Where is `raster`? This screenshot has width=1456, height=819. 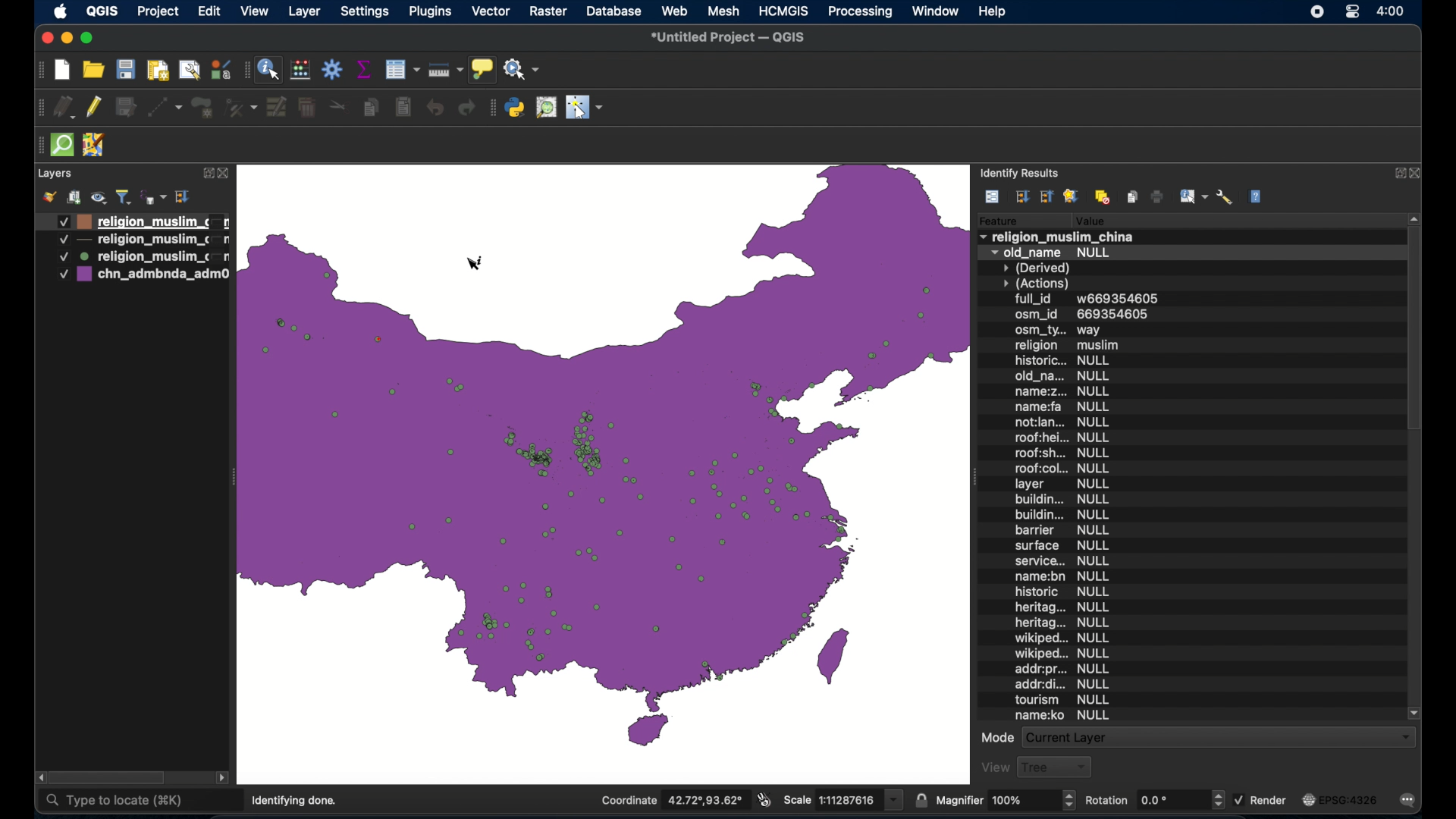 raster is located at coordinates (547, 11).